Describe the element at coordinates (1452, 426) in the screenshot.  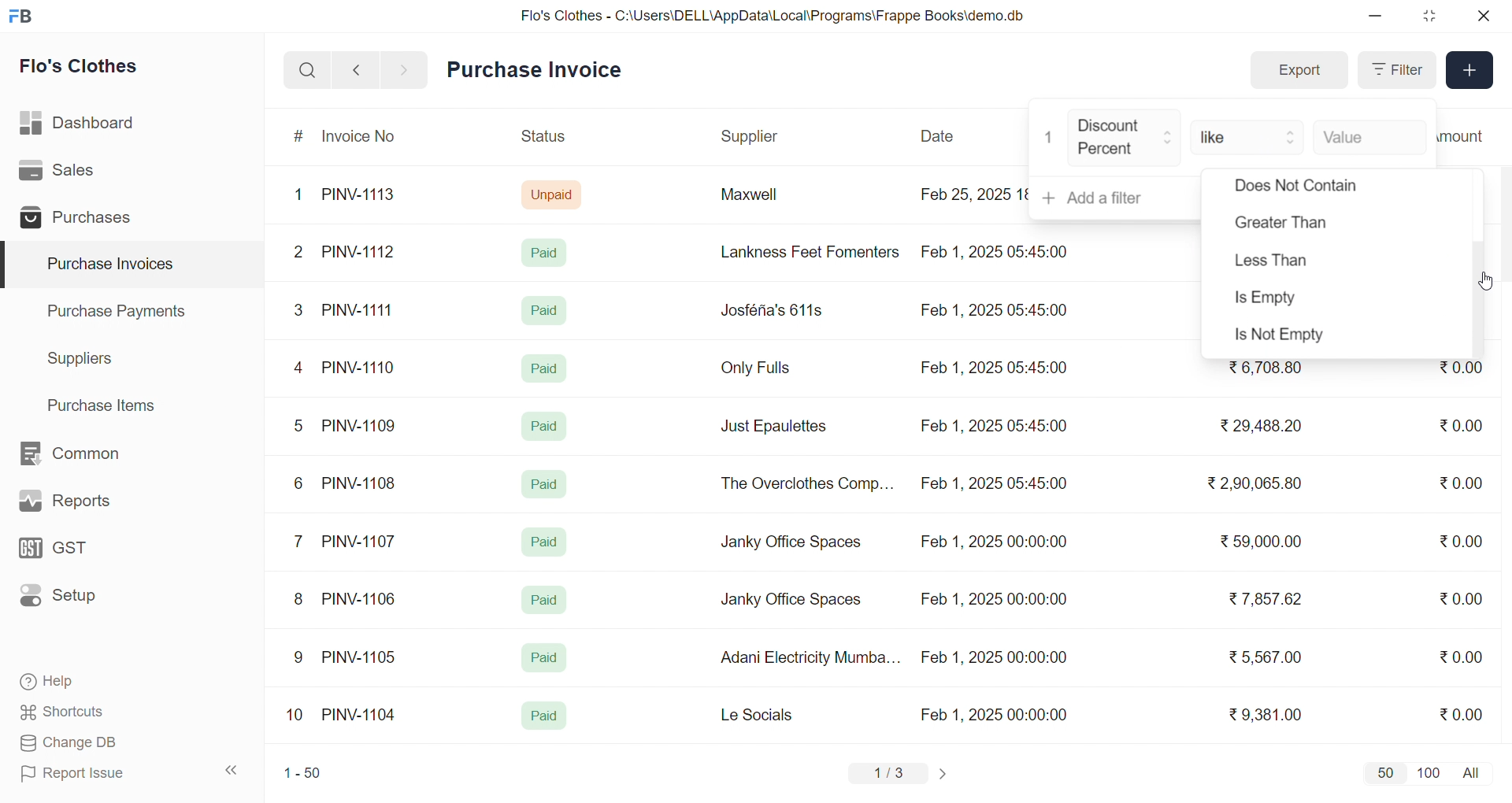
I see `₹0.00` at that location.